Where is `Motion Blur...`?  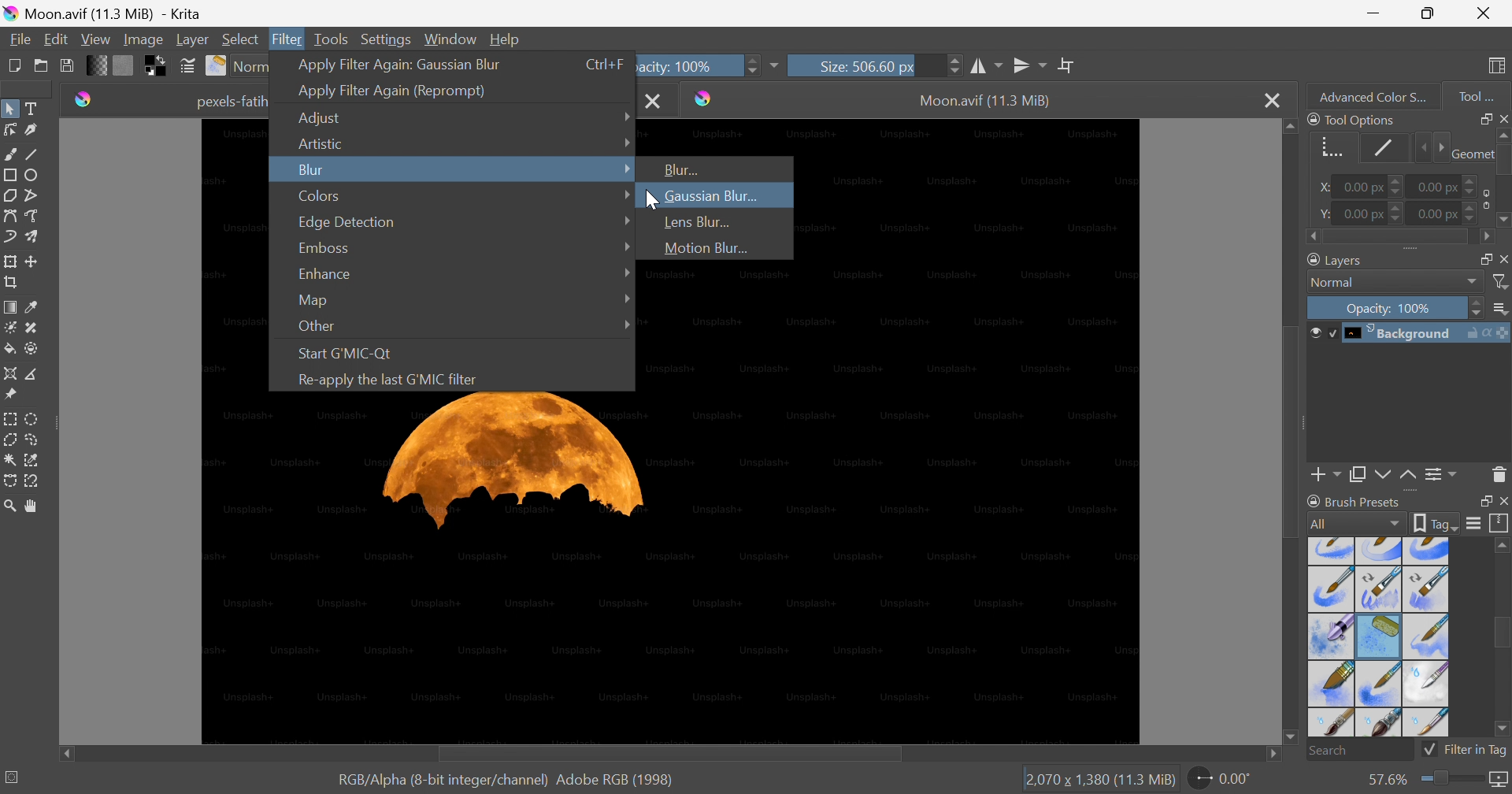
Motion Blur... is located at coordinates (707, 248).